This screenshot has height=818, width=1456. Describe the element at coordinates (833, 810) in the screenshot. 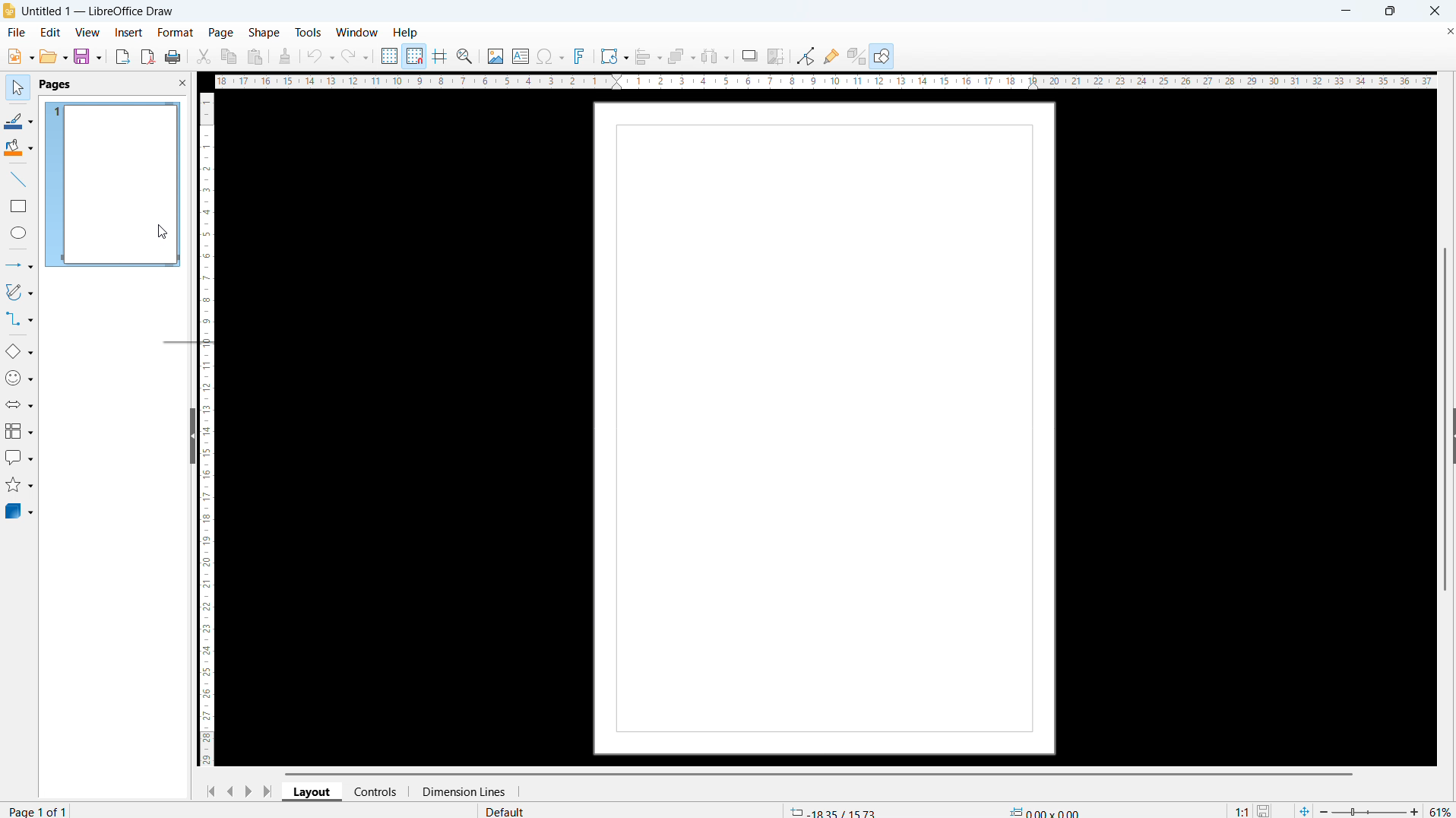

I see `cursor coordinate` at that location.